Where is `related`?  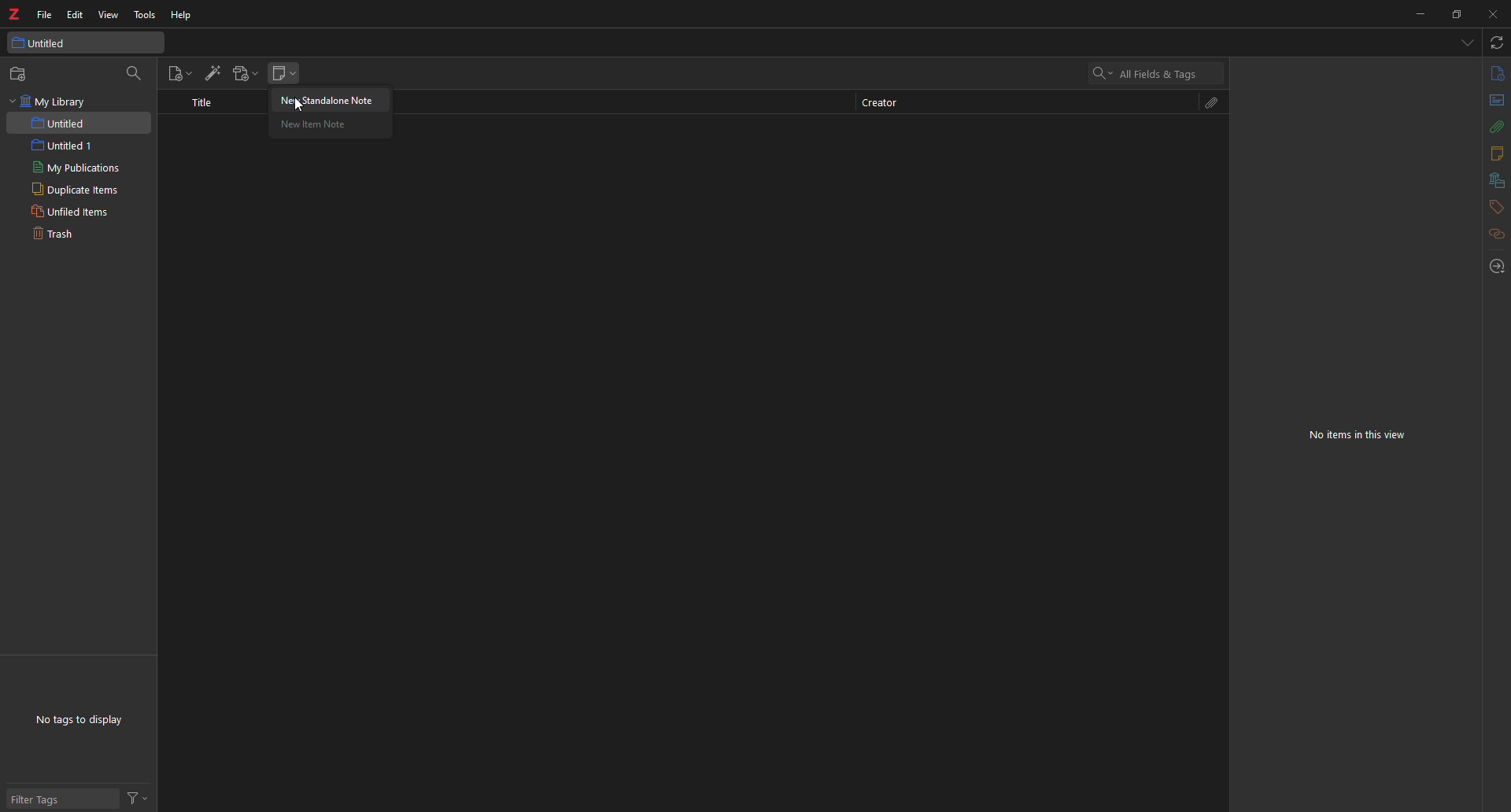
related is located at coordinates (1489, 235).